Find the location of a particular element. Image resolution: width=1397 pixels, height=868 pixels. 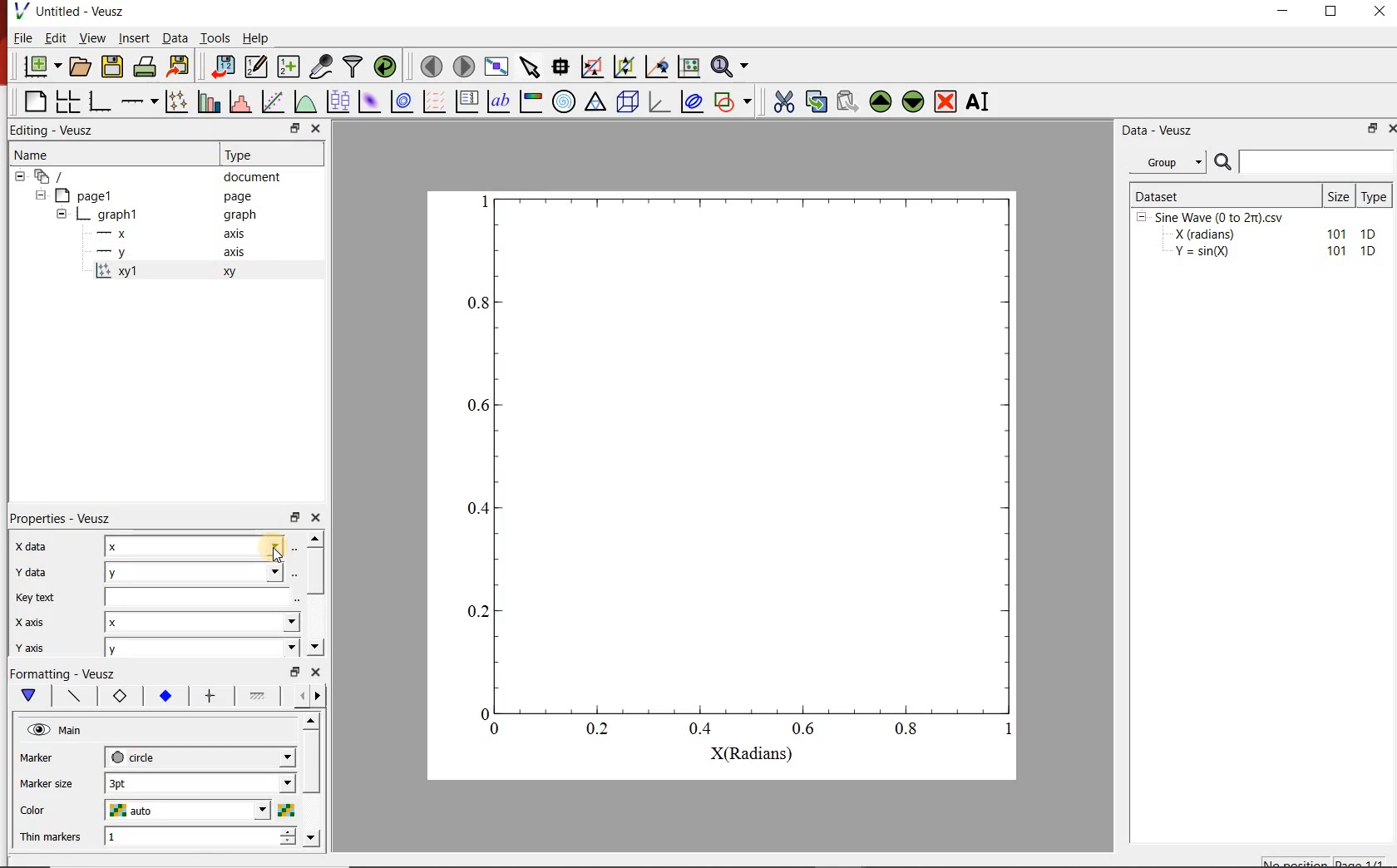

Close is located at coordinates (1389, 131).